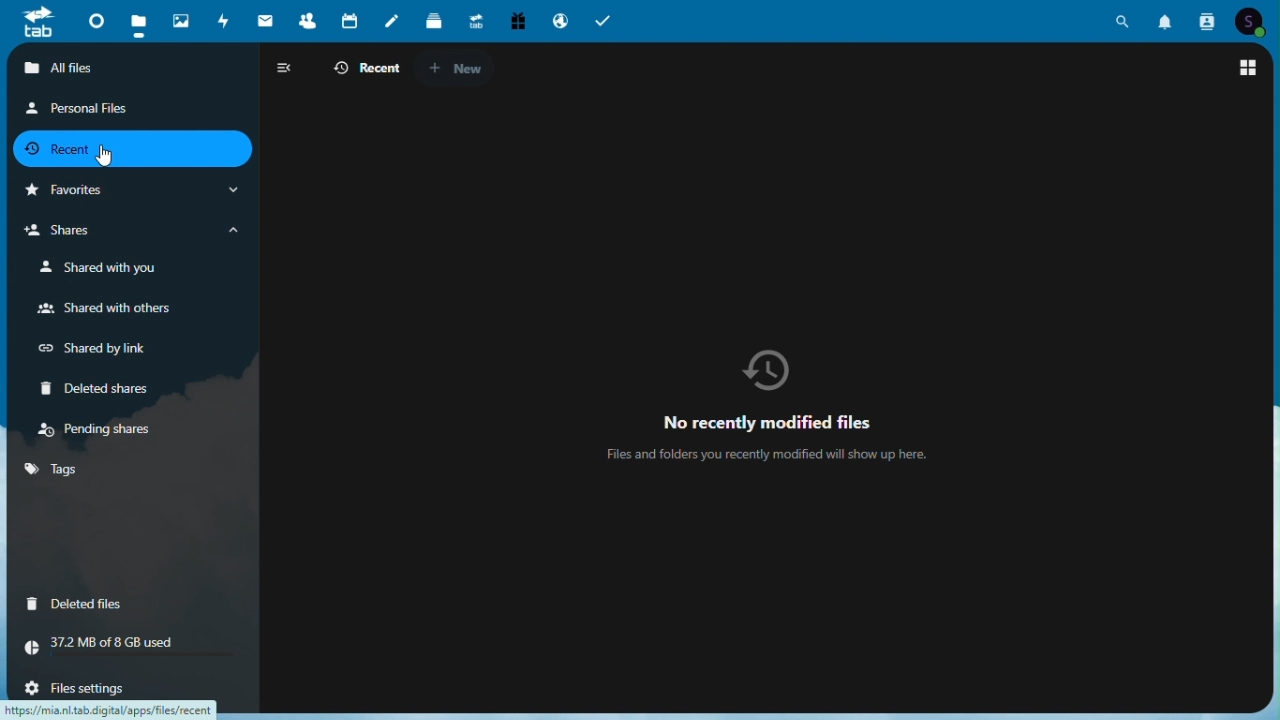 The width and height of the screenshot is (1280, 720). I want to click on Contacts, so click(1208, 19).